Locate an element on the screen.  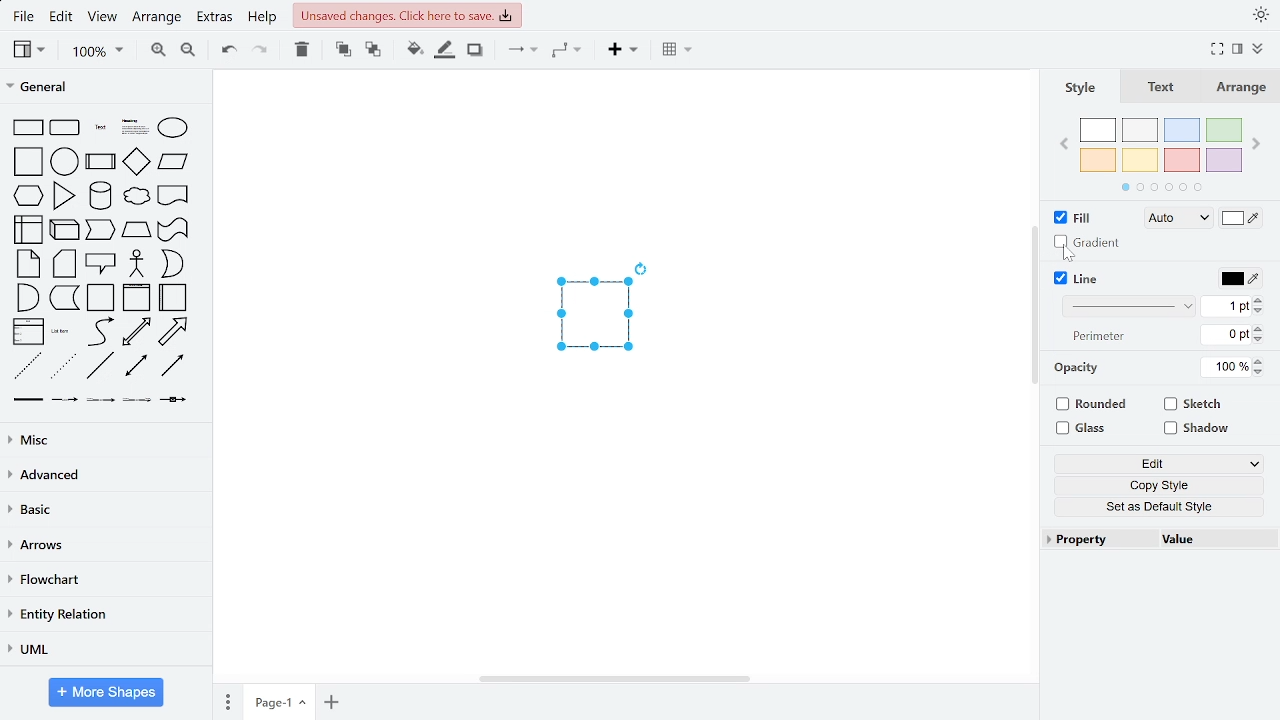
 is located at coordinates (25, 398).